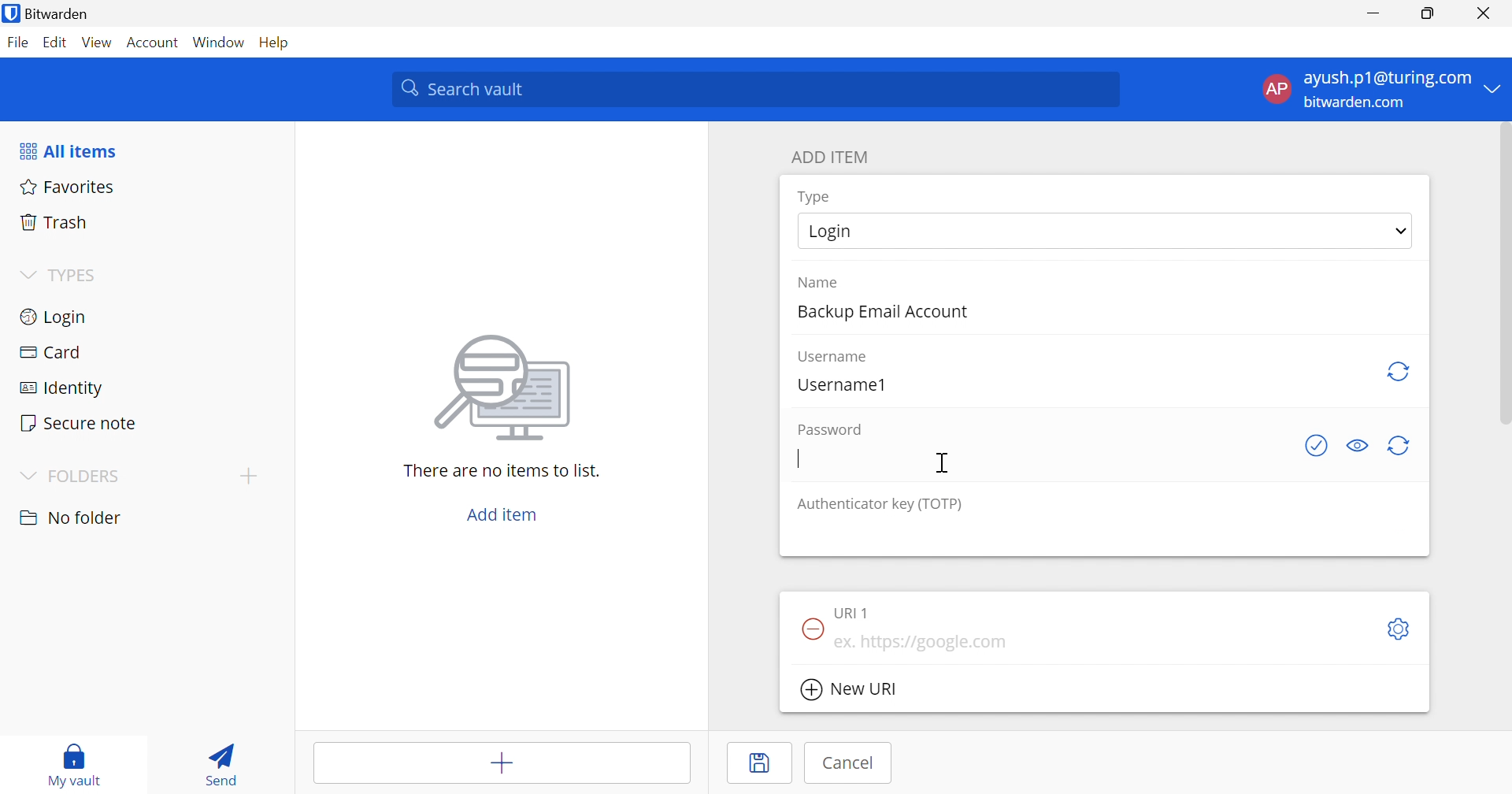  I want to click on Toggle visibility, so click(1355, 446).